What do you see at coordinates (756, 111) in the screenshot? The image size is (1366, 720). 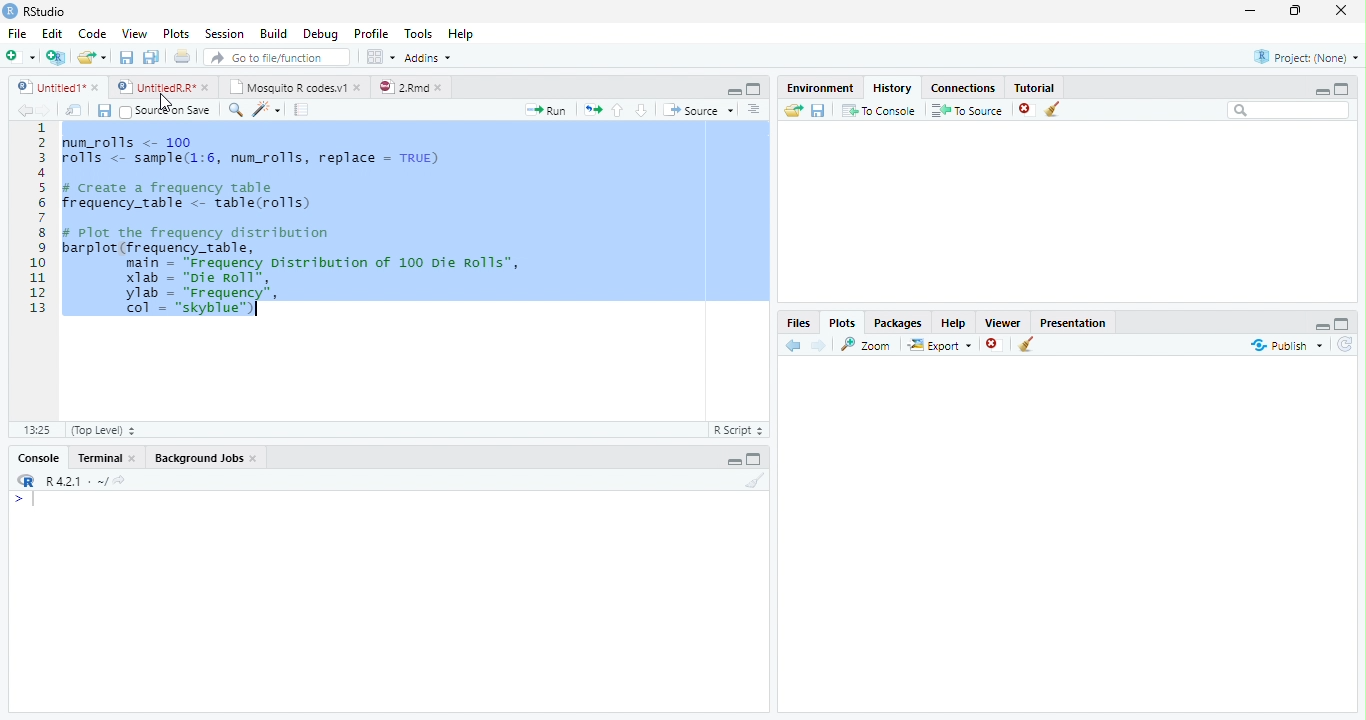 I see `List` at bounding box center [756, 111].